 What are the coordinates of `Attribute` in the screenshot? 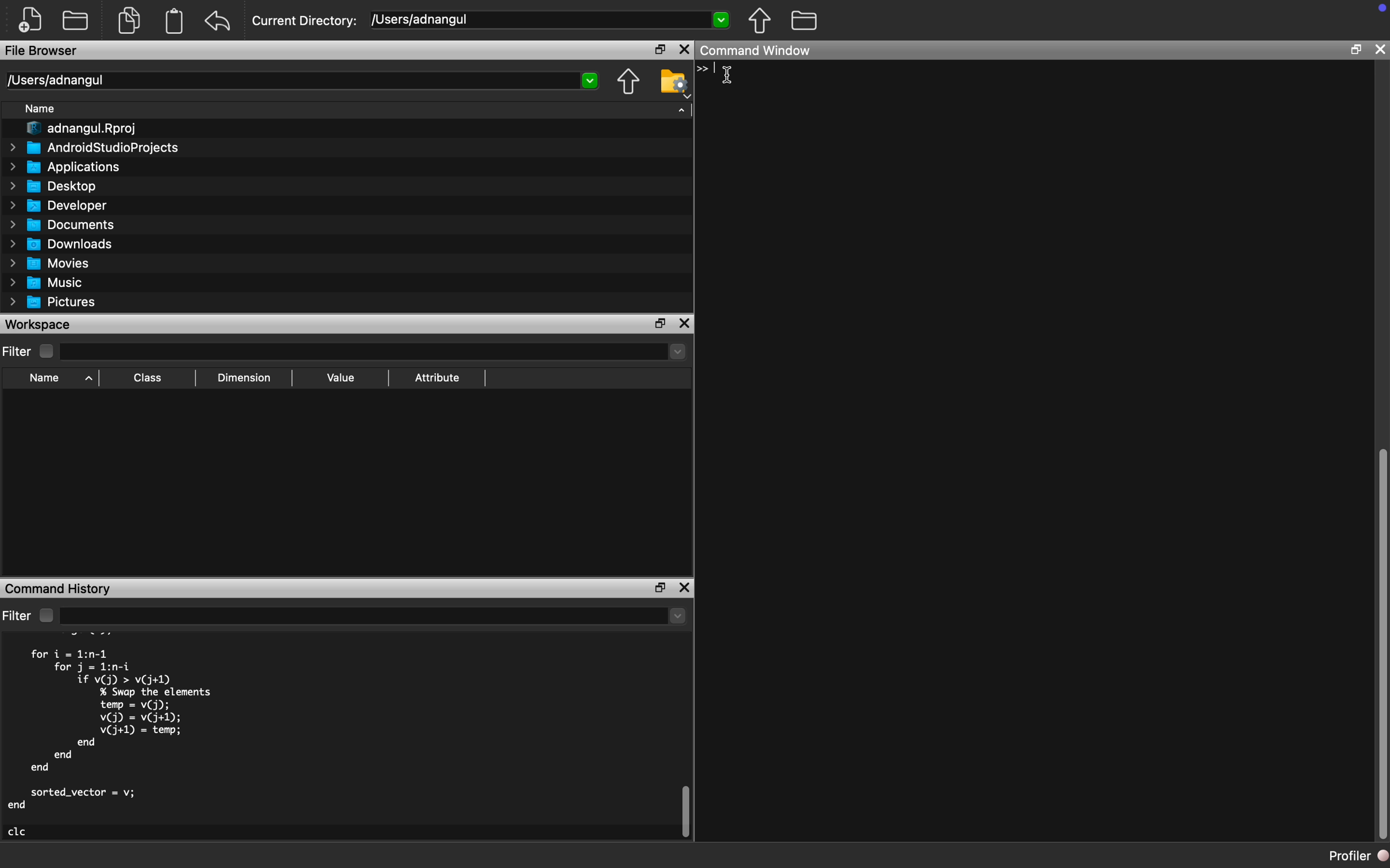 It's located at (436, 378).